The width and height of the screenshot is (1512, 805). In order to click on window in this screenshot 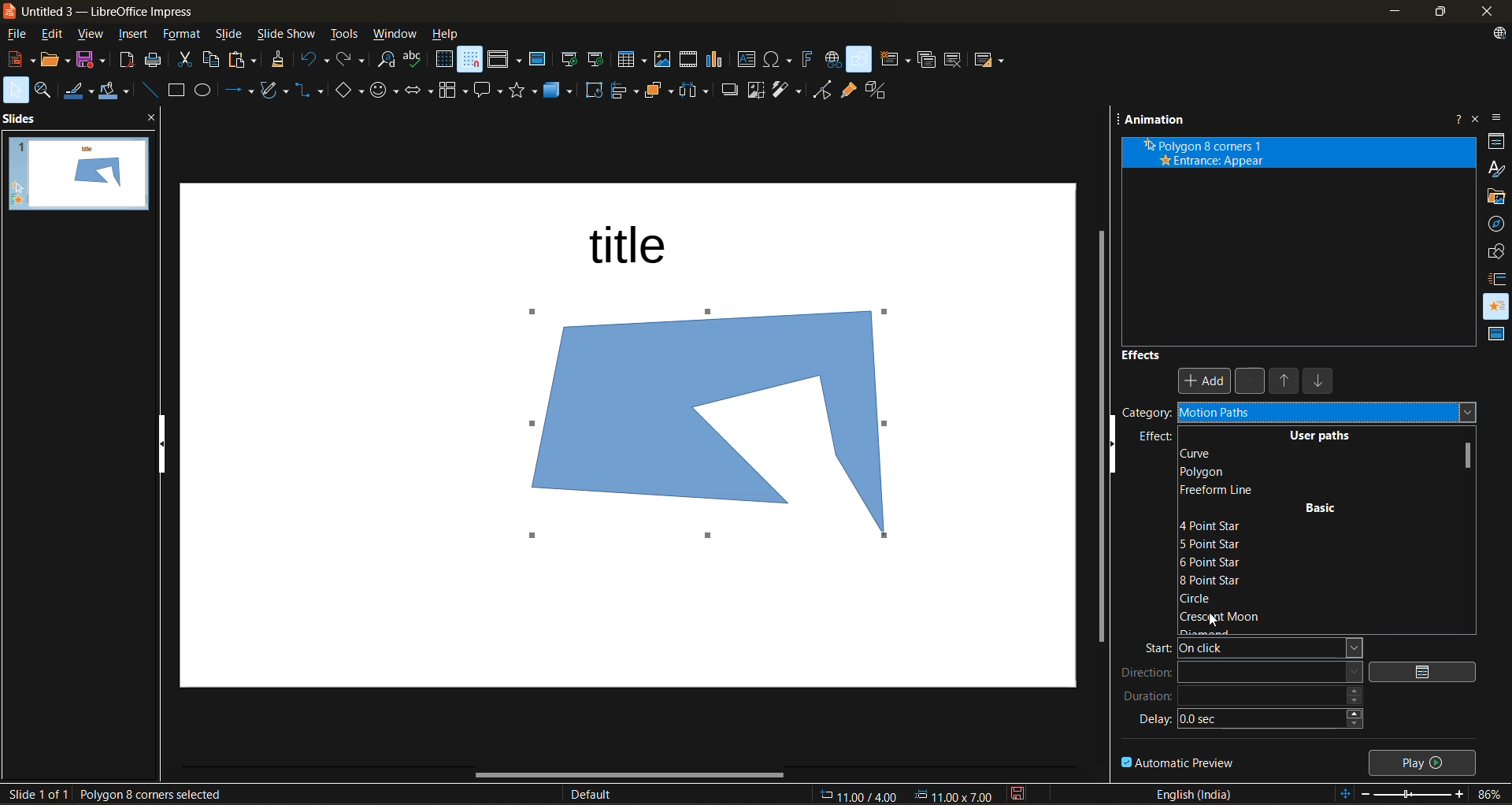, I will do `click(395, 35)`.